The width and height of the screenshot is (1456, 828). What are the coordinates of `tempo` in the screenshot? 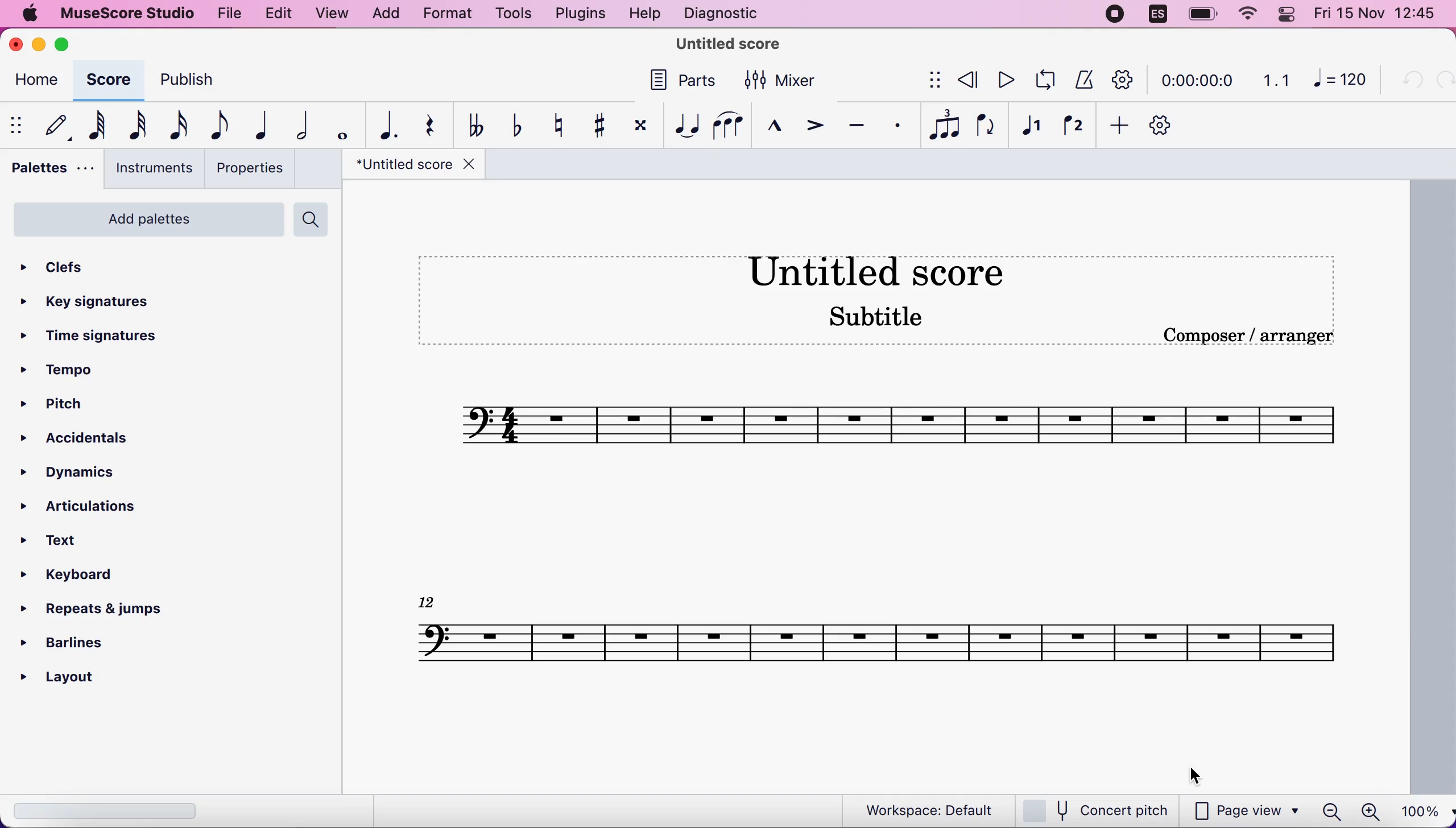 It's located at (62, 370).